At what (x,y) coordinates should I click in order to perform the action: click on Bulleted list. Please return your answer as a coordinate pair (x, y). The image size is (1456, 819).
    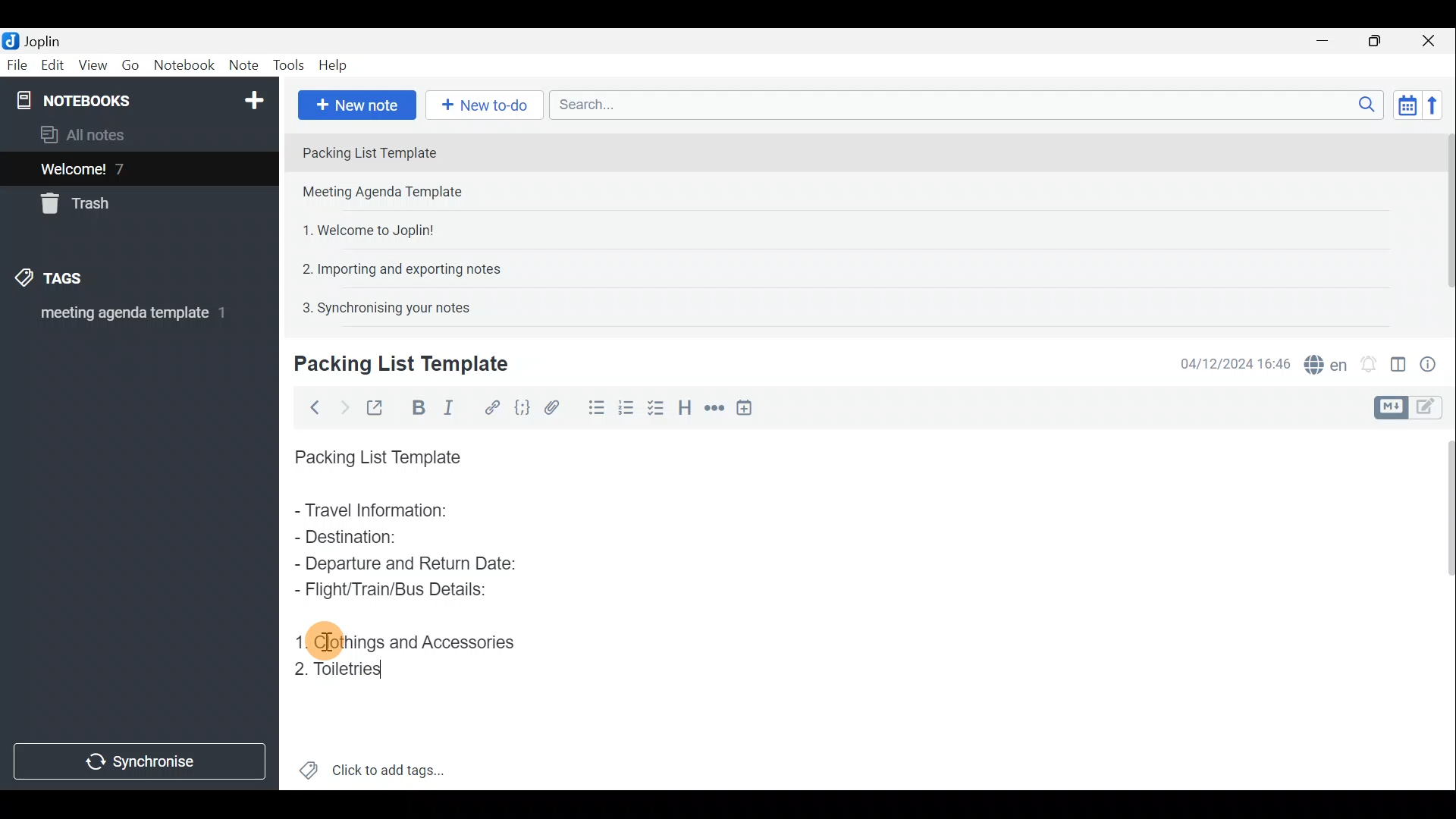
    Looking at the image, I should click on (591, 410).